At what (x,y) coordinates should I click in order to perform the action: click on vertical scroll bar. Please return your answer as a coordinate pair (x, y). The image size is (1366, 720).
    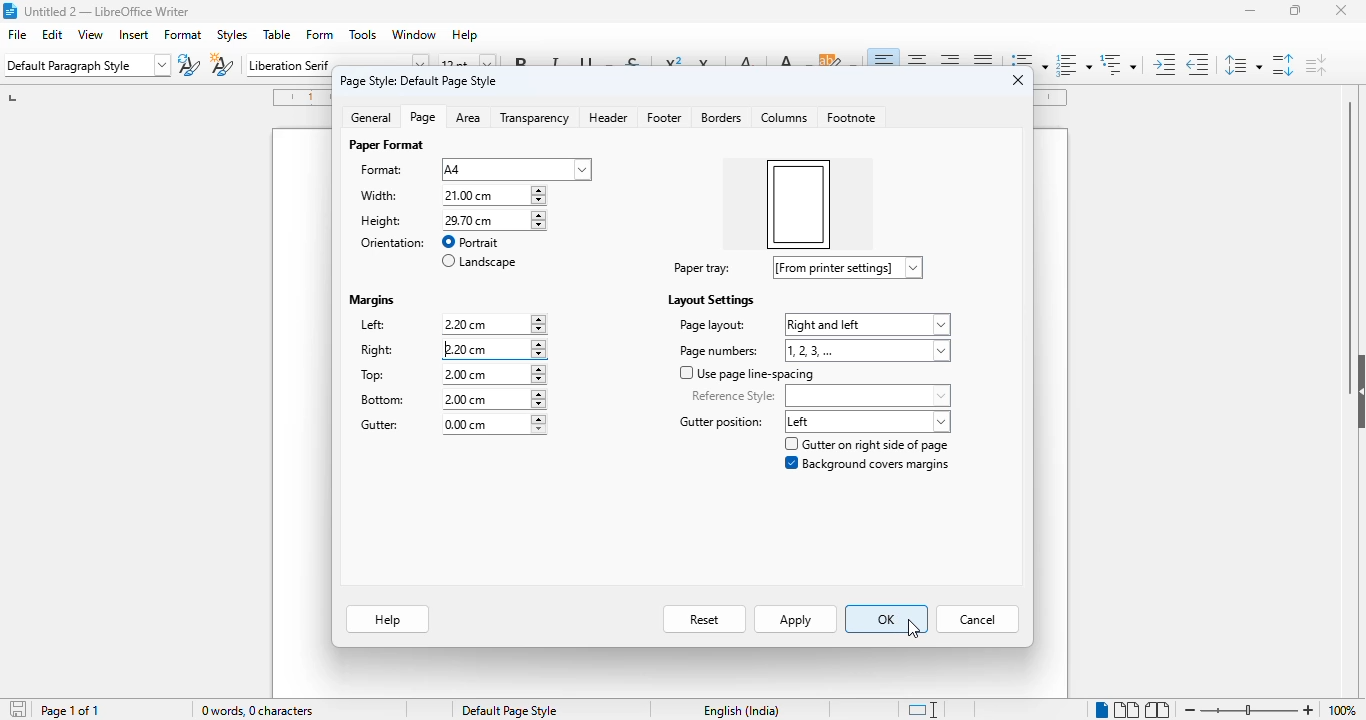
    Looking at the image, I should click on (1349, 222).